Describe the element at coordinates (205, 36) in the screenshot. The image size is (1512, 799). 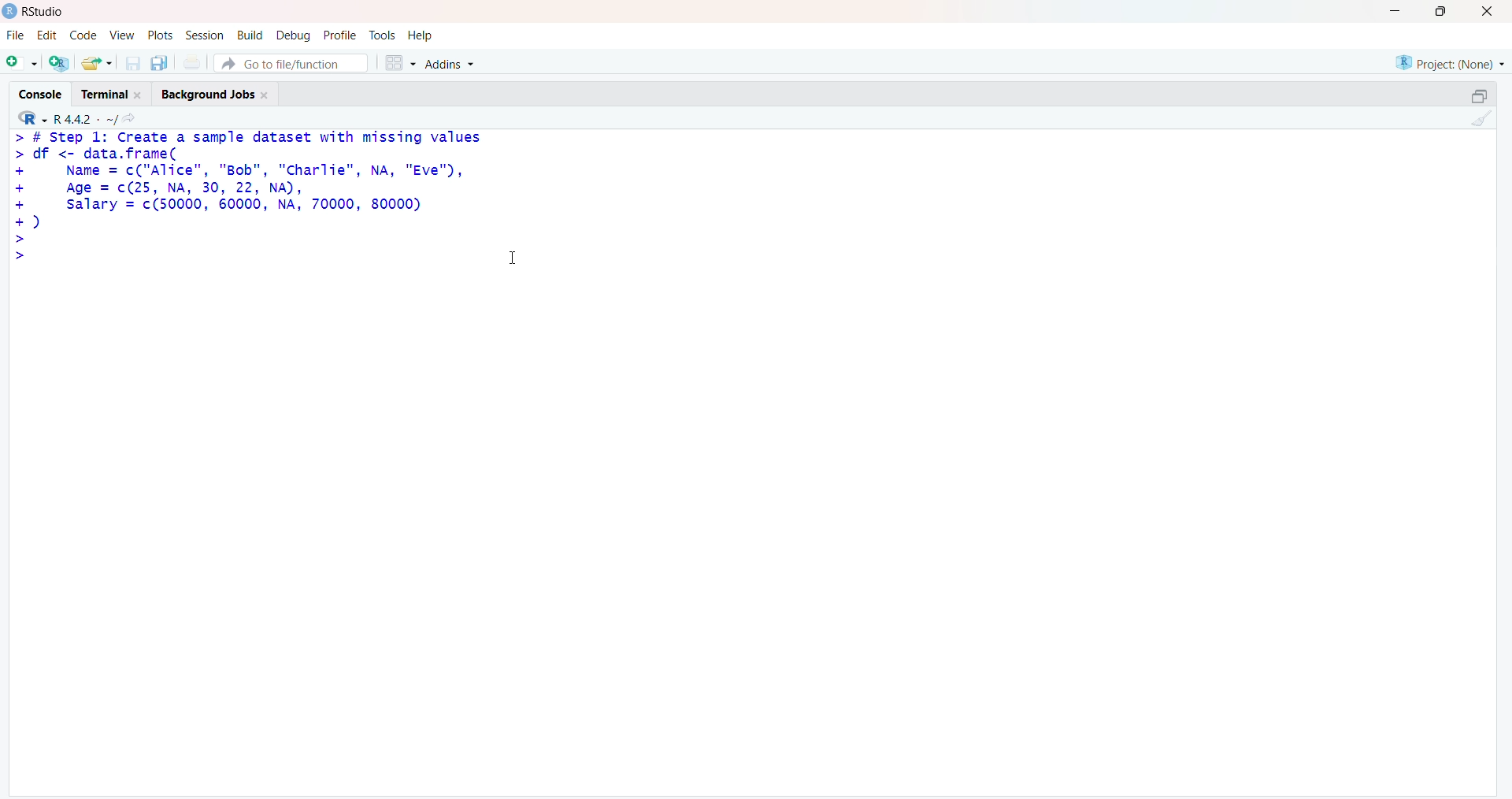
I see `Session` at that location.